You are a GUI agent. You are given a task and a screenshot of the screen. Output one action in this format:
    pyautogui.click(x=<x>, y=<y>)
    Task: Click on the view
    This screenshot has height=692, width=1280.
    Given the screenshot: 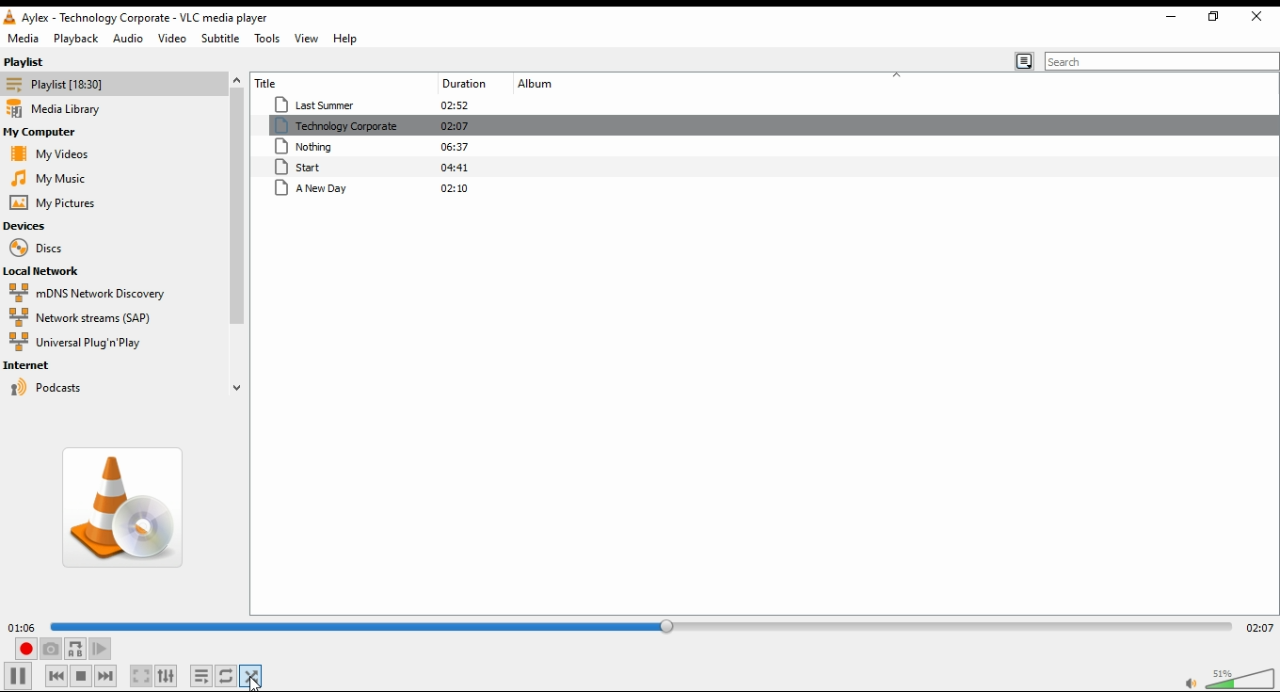 What is the action you would take?
    pyautogui.click(x=308, y=39)
    